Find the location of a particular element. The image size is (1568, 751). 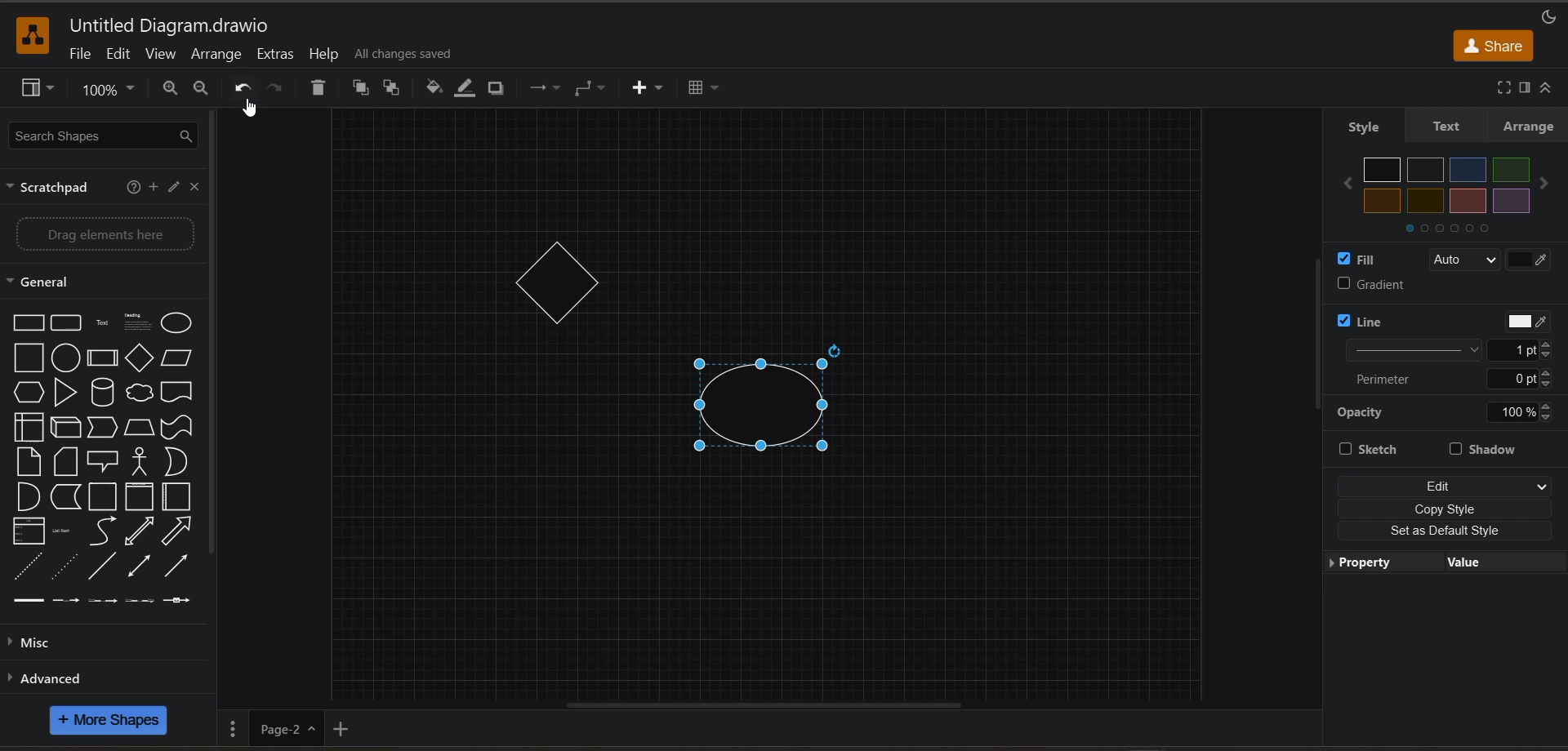

Rectangle is located at coordinates (29, 323).